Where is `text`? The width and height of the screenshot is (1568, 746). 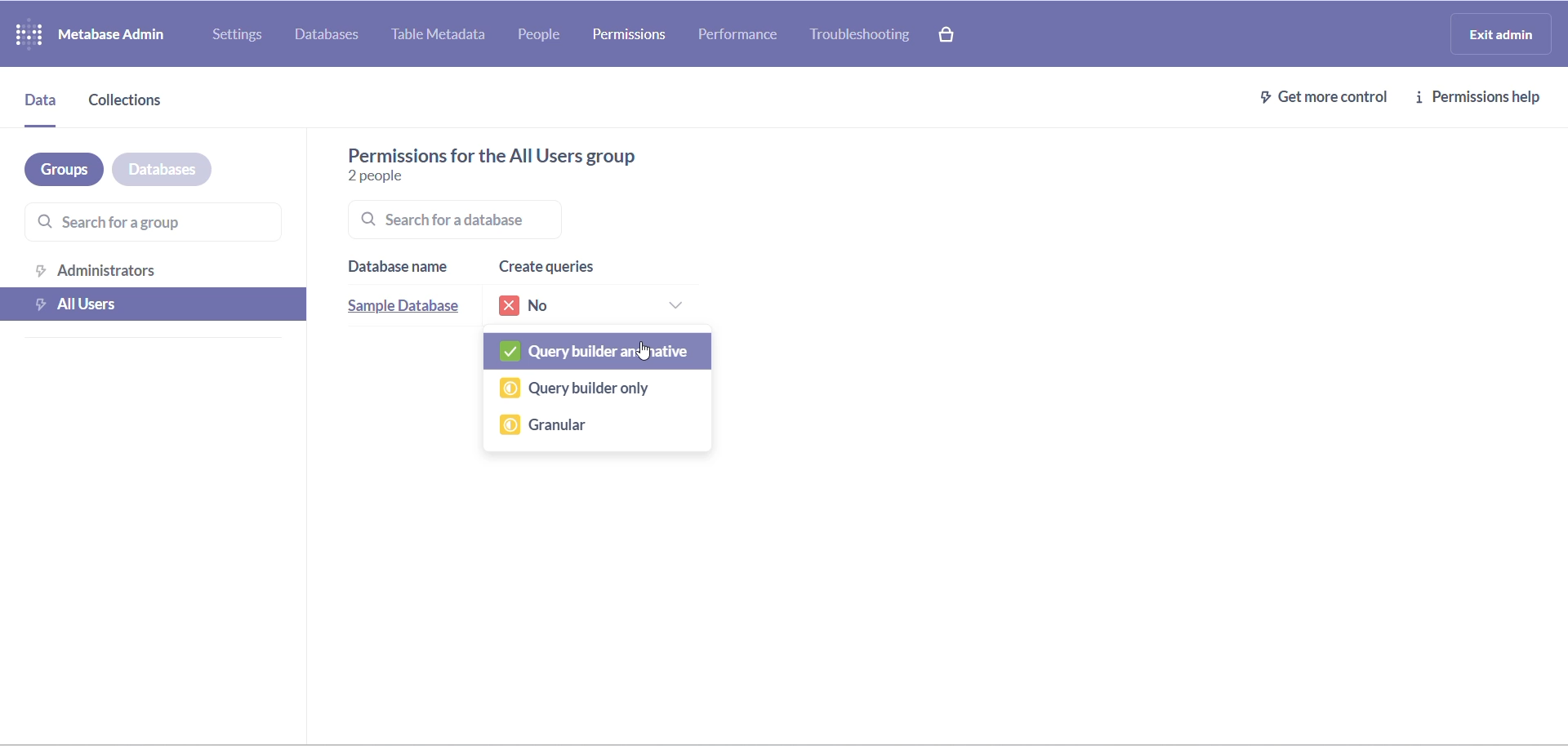
text is located at coordinates (528, 156).